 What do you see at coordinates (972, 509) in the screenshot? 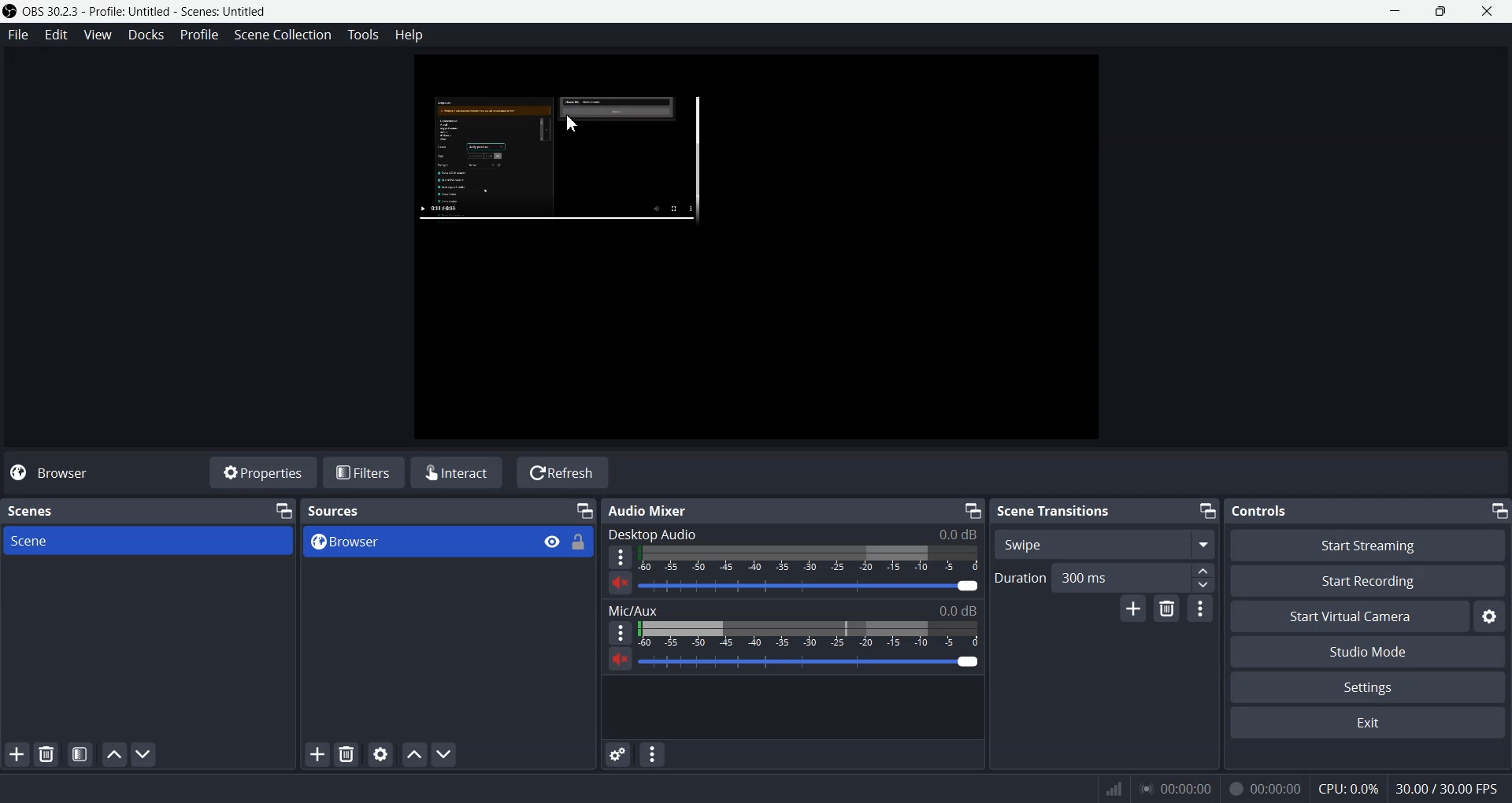
I see `Minimize` at bounding box center [972, 509].